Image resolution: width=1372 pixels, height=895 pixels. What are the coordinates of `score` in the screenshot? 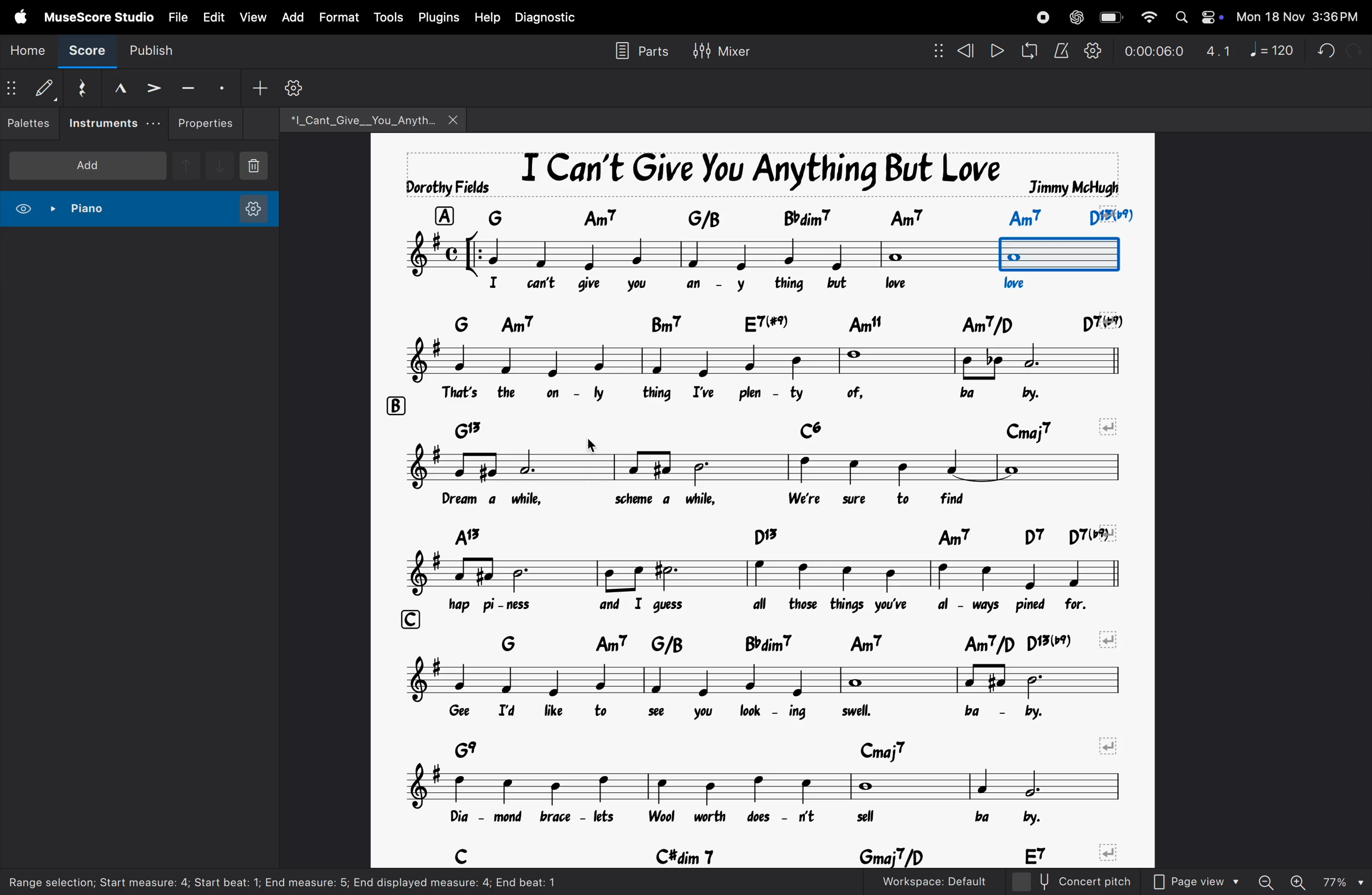 It's located at (82, 52).